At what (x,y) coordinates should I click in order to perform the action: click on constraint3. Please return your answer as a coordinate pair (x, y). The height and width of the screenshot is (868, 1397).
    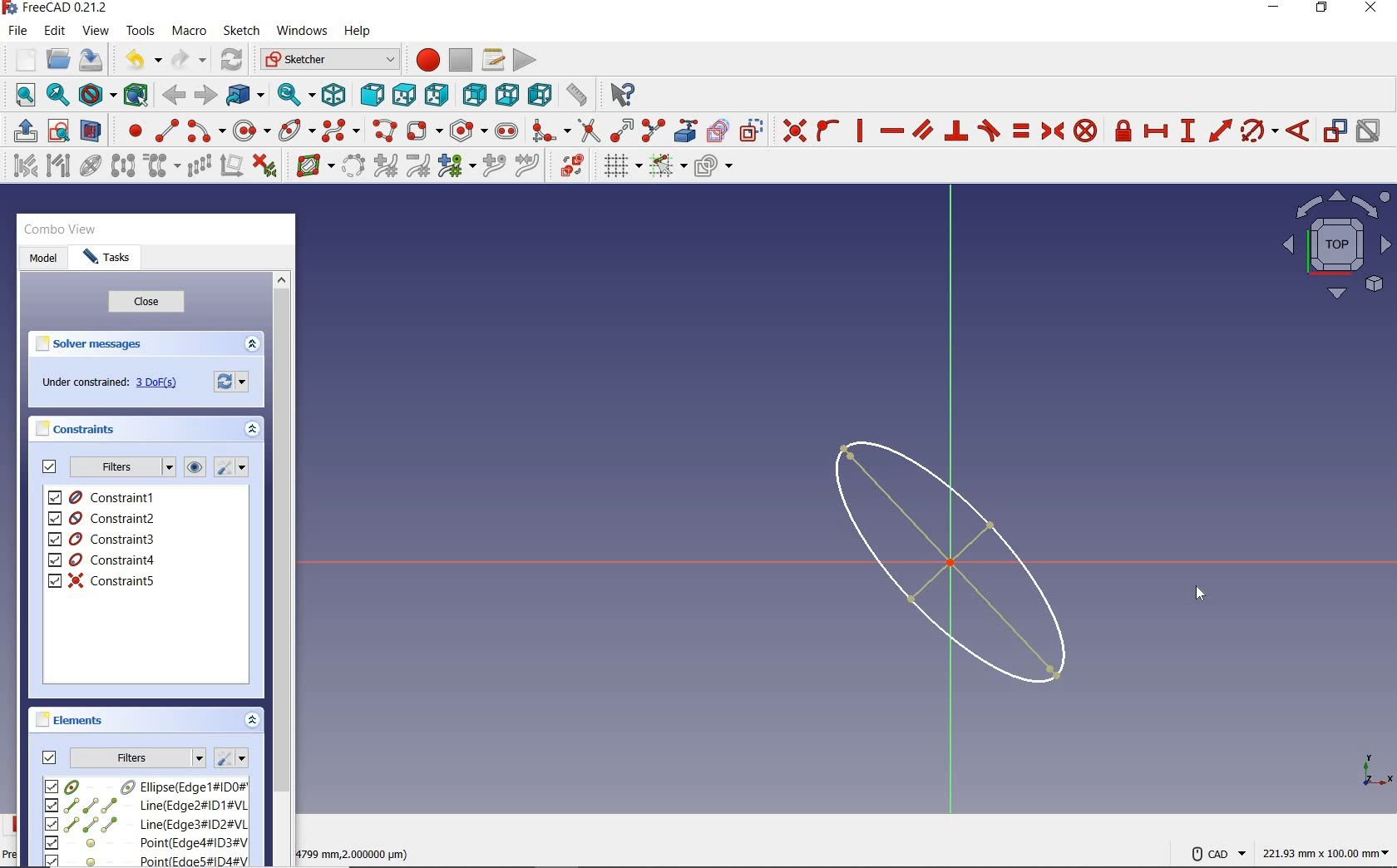
    Looking at the image, I should click on (103, 540).